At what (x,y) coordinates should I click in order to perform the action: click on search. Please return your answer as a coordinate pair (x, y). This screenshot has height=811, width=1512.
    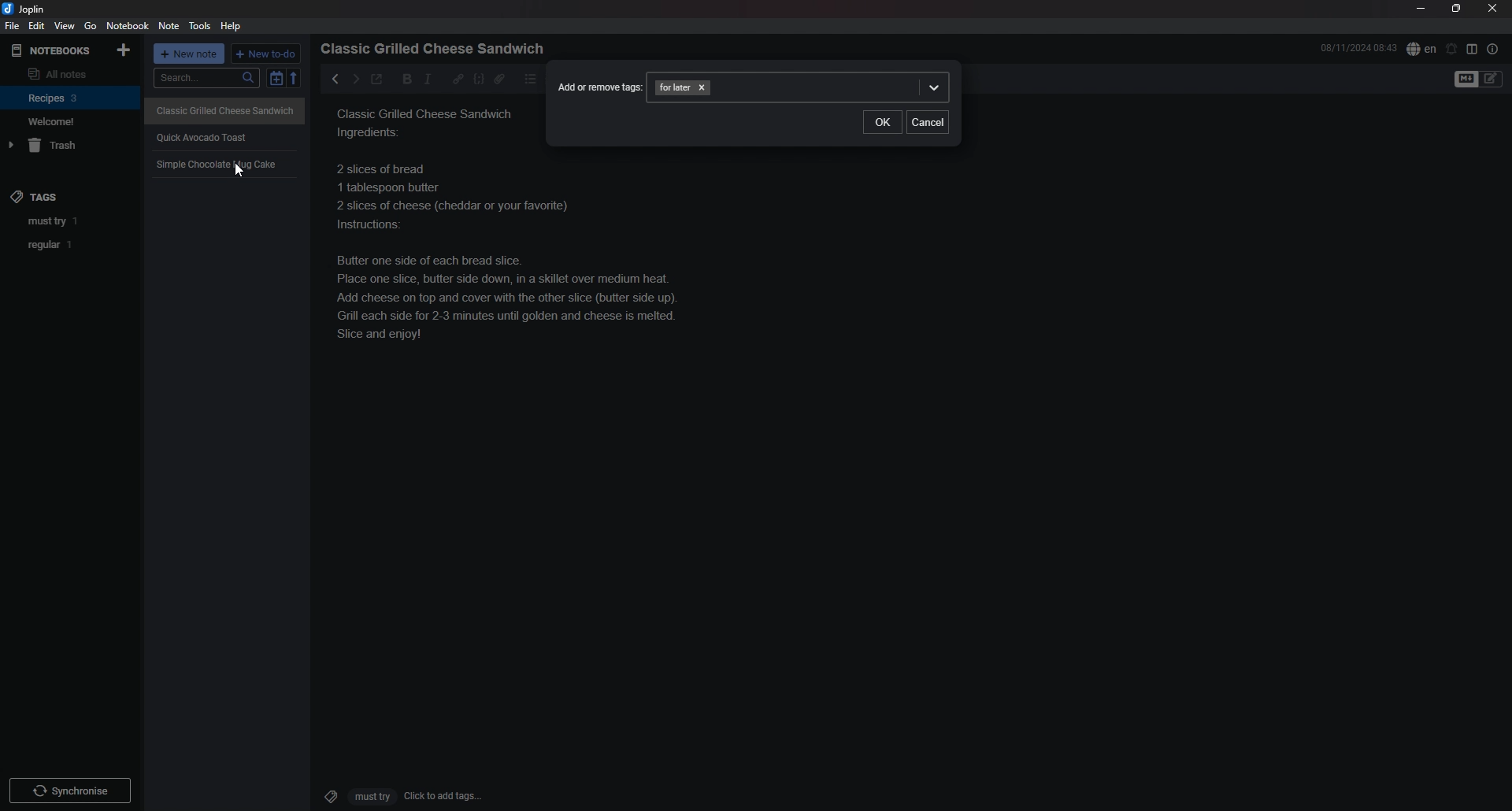
    Looking at the image, I should click on (206, 78).